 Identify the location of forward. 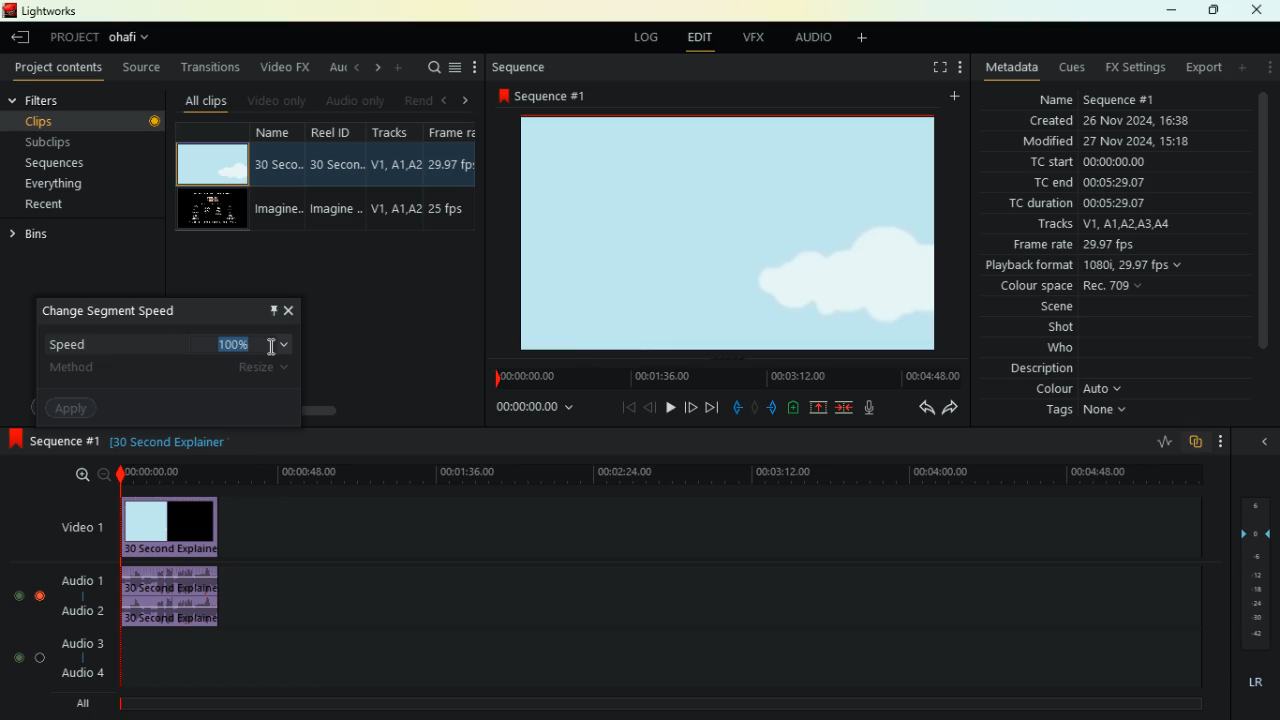
(713, 407).